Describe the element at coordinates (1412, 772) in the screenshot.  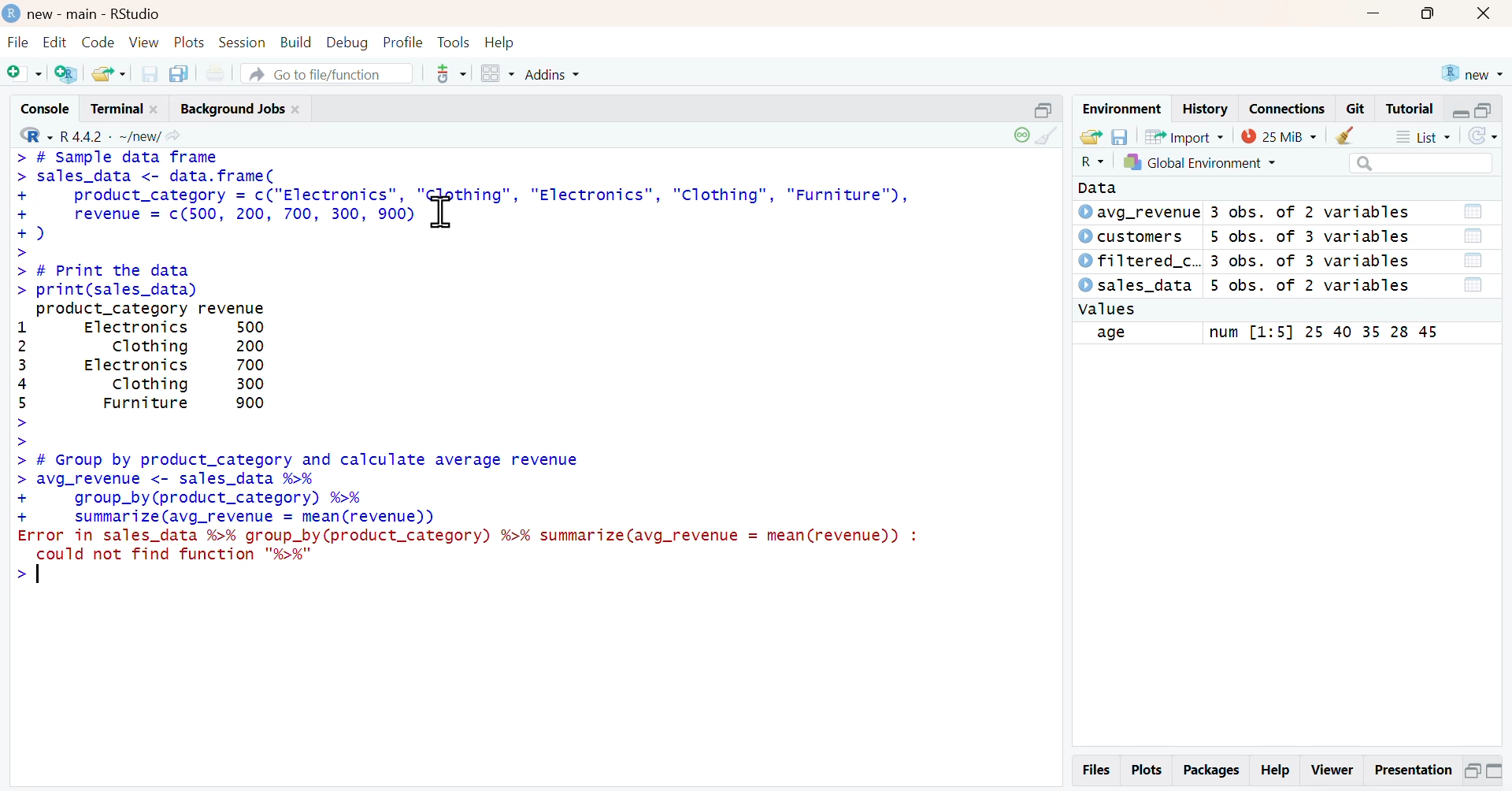
I see `Presentation` at that location.